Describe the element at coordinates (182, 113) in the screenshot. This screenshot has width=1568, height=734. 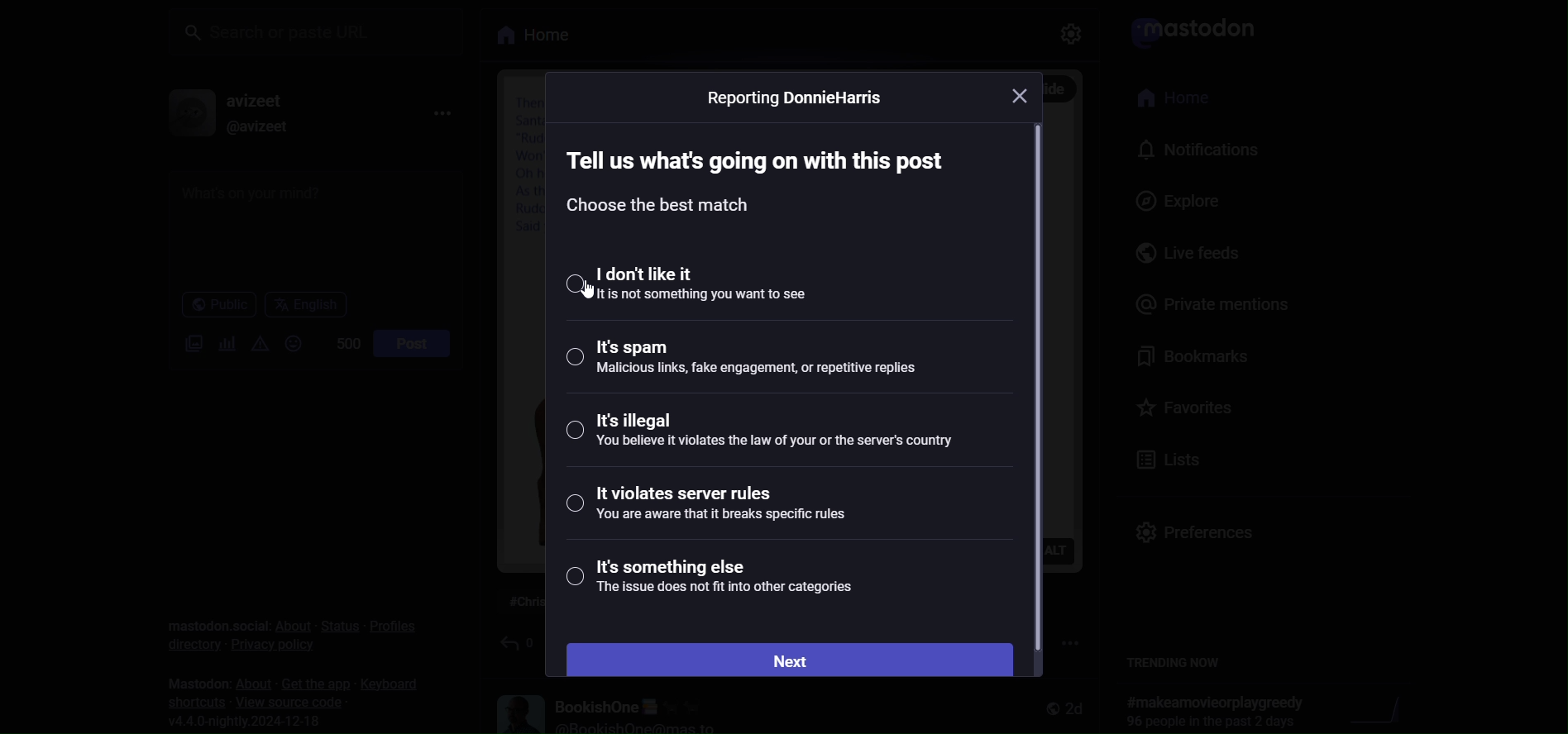
I see `profile picture` at that location.